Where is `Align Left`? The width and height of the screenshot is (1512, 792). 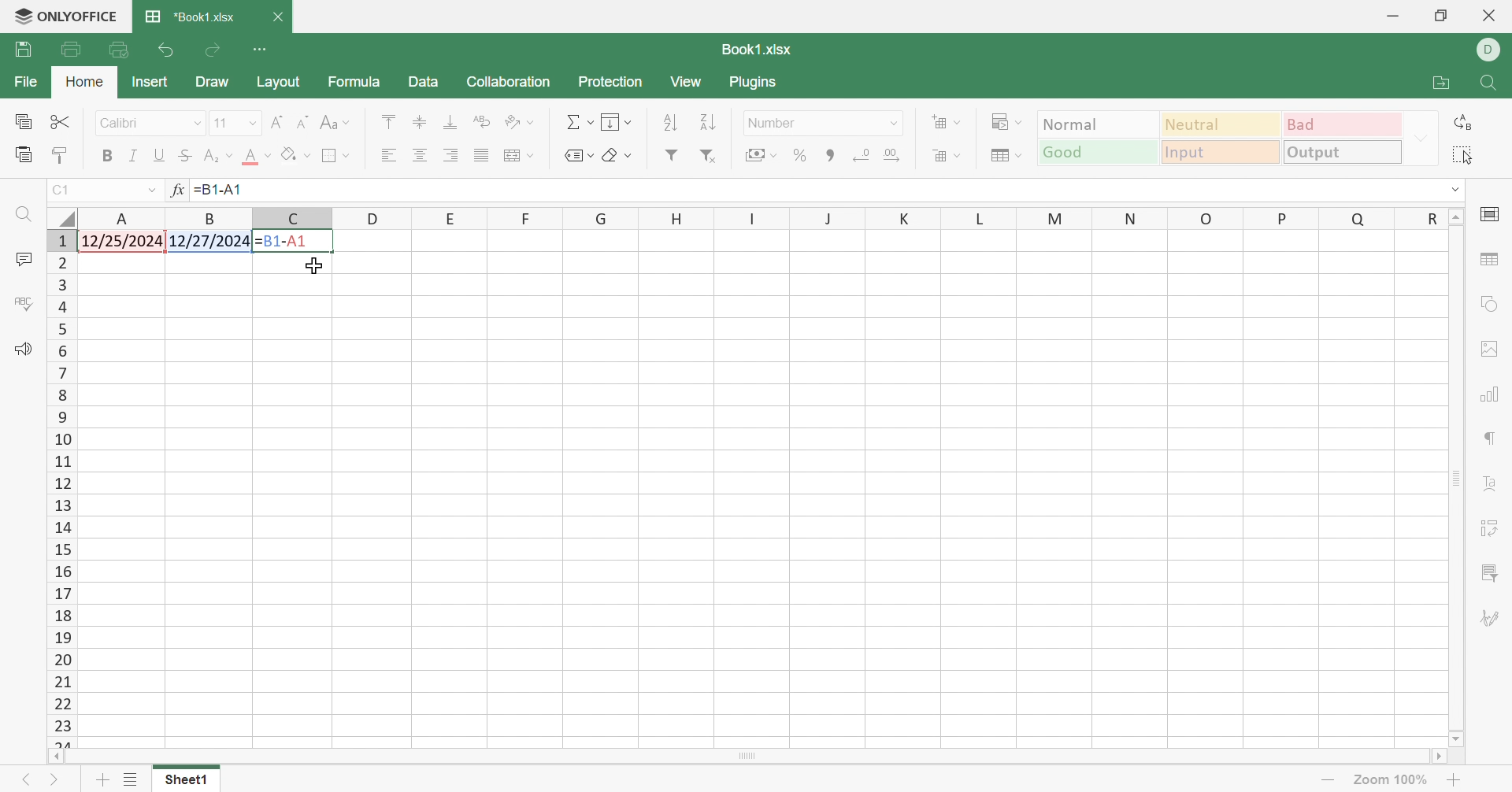
Align Left is located at coordinates (389, 156).